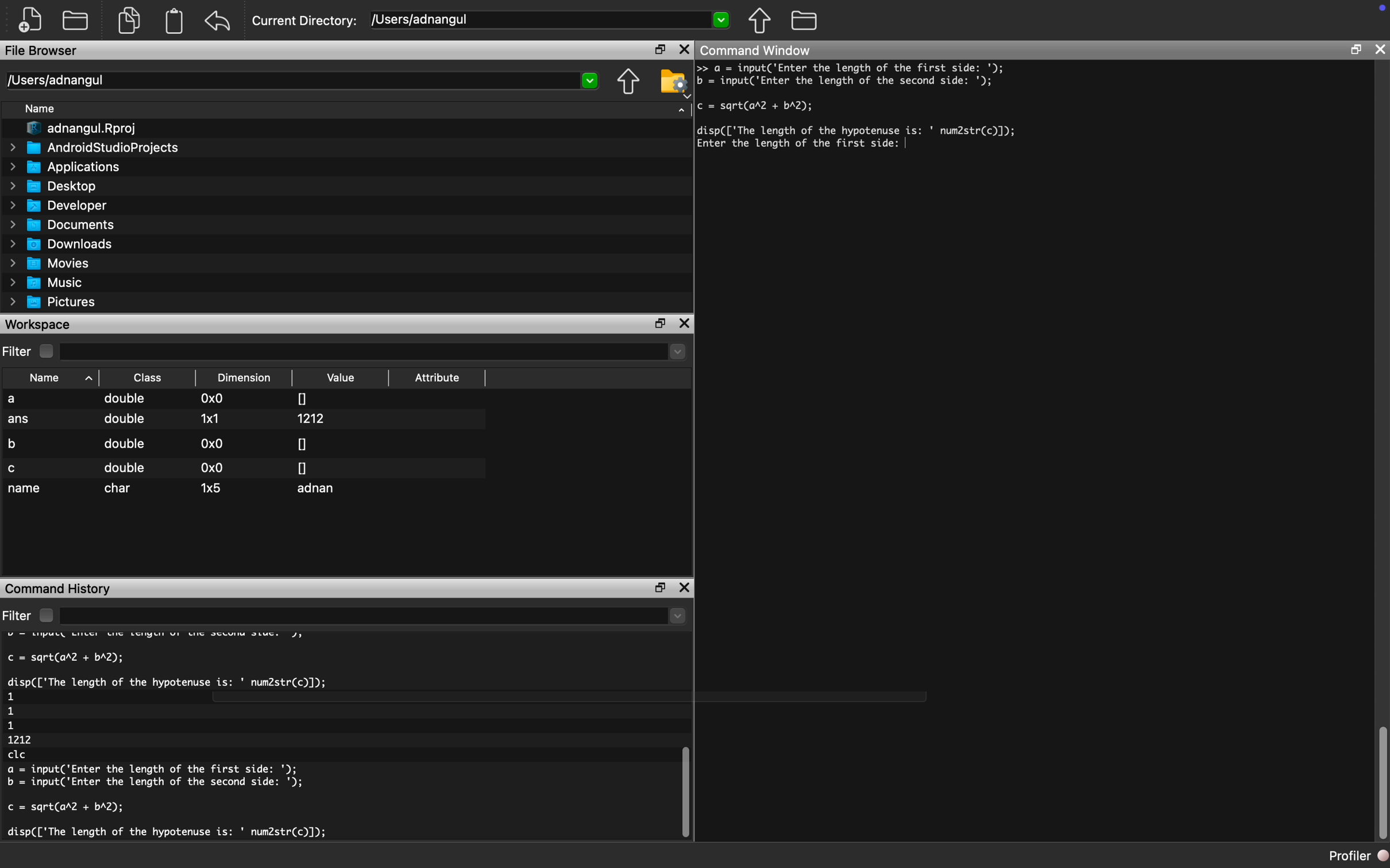 This screenshot has height=868, width=1390. What do you see at coordinates (655, 51) in the screenshot?
I see `restore down` at bounding box center [655, 51].